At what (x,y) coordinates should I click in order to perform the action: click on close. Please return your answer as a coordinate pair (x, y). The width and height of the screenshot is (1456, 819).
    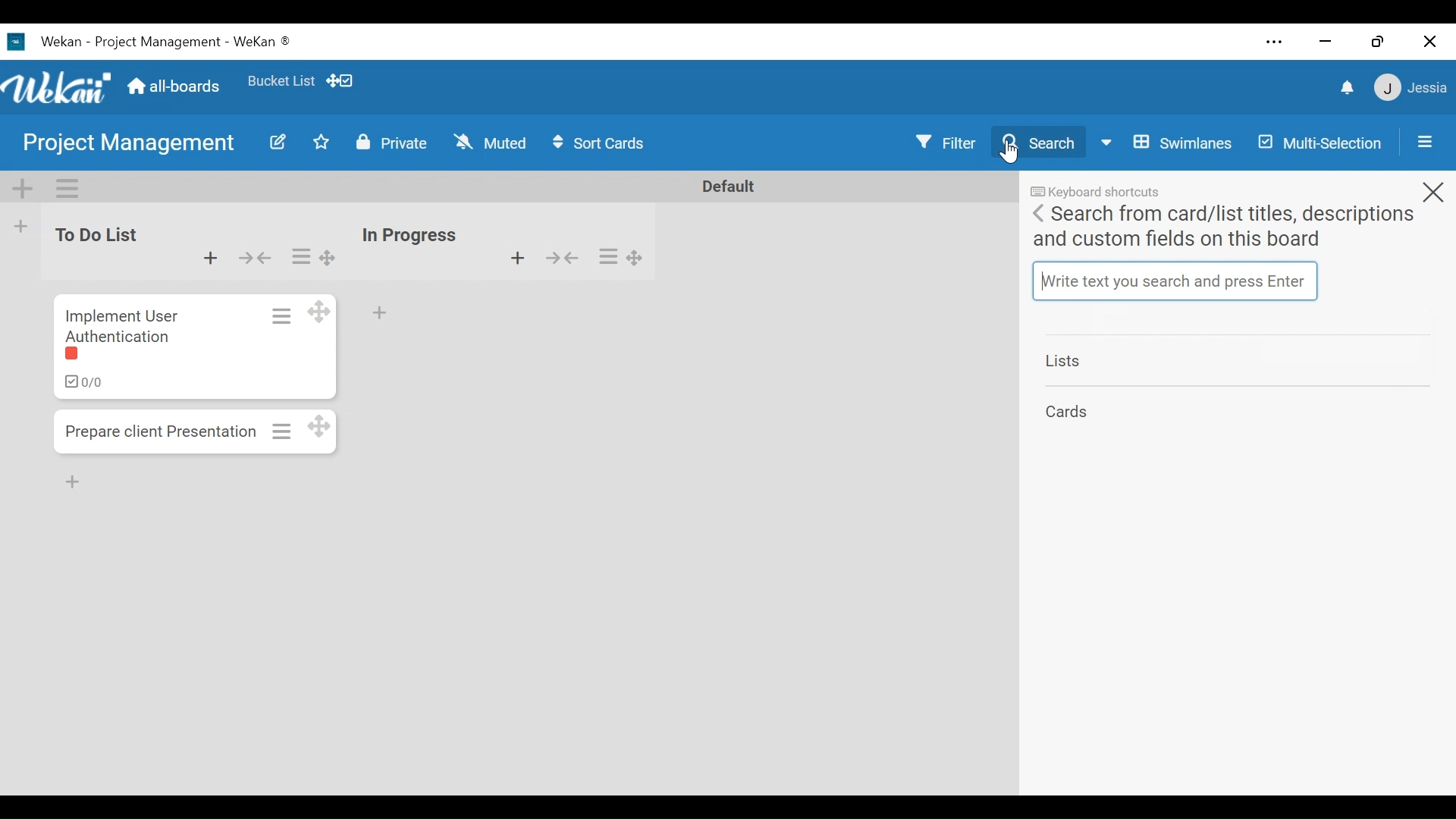
    Looking at the image, I should click on (1432, 188).